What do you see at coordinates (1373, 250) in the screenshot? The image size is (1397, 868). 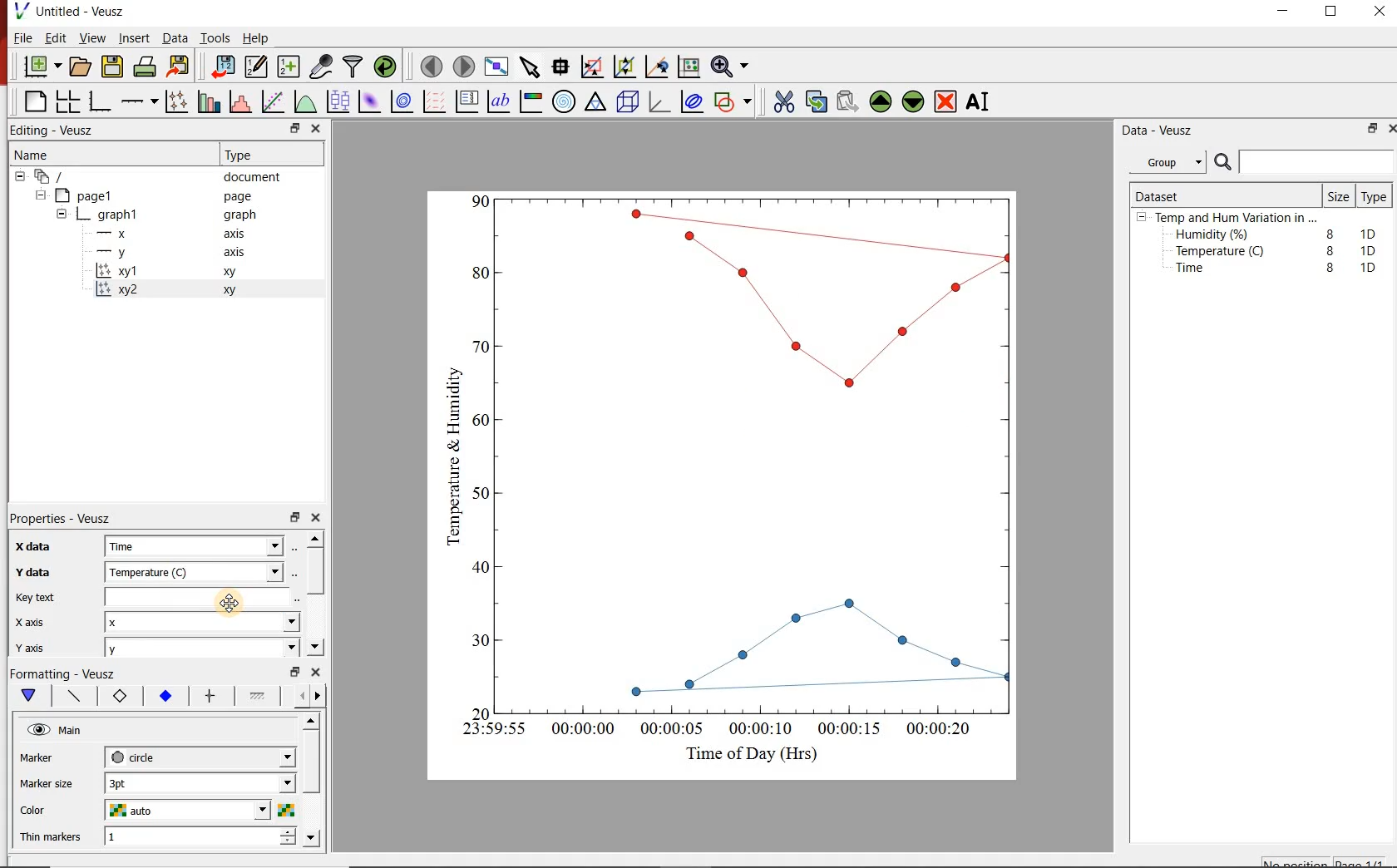 I see `1D` at bounding box center [1373, 250].